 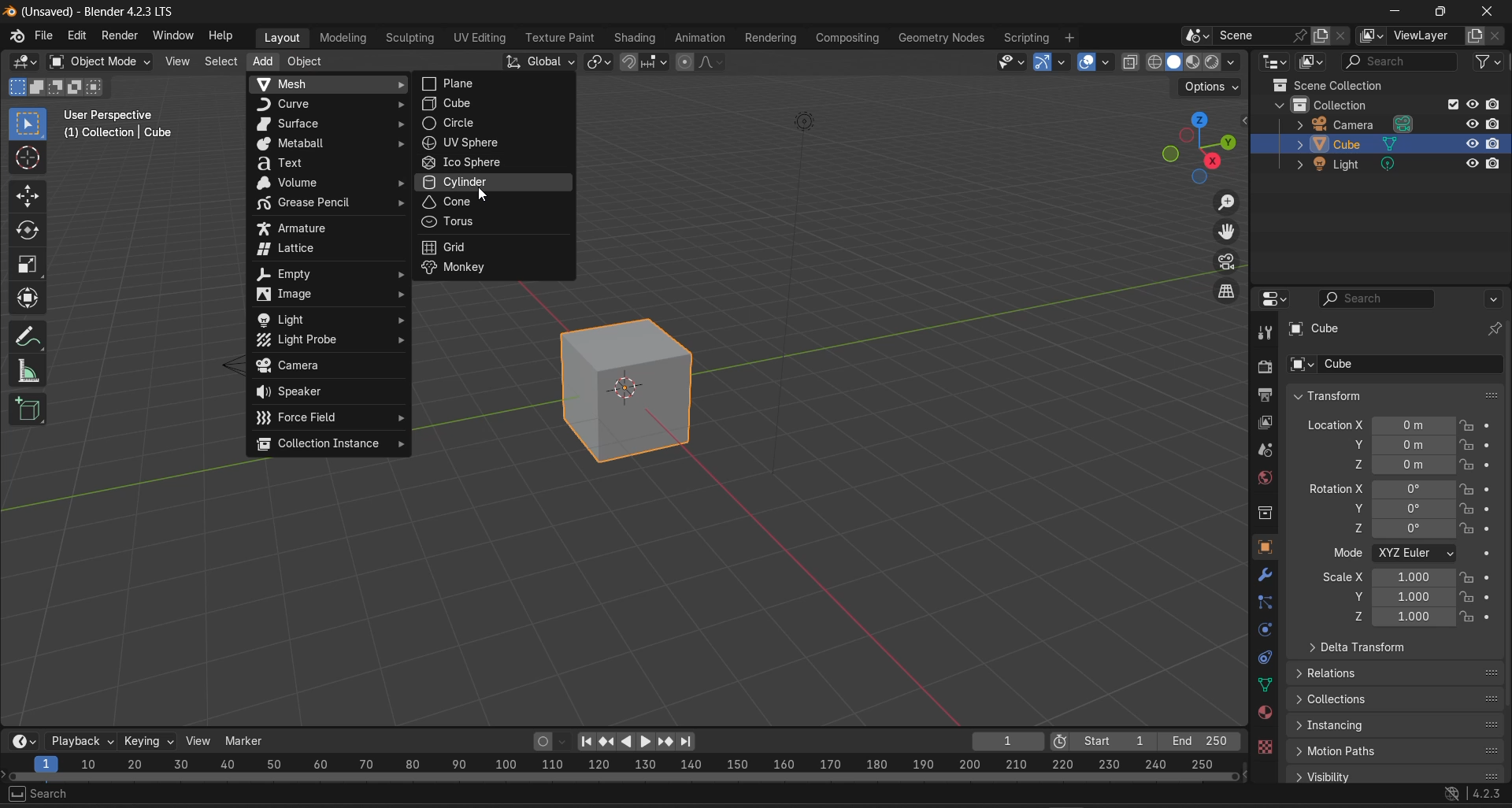 I want to click on zoom in/out in the view, so click(x=1228, y=202).